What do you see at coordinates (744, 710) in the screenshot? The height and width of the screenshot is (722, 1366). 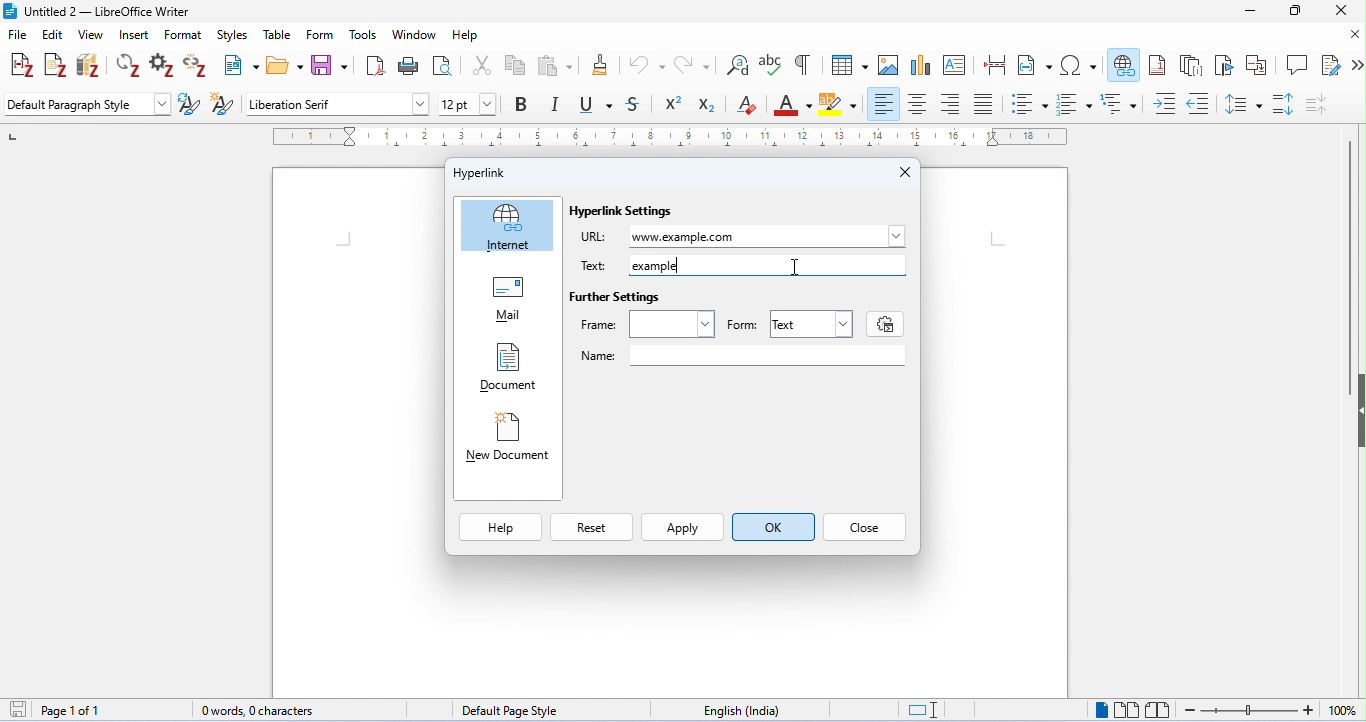 I see `language` at bounding box center [744, 710].